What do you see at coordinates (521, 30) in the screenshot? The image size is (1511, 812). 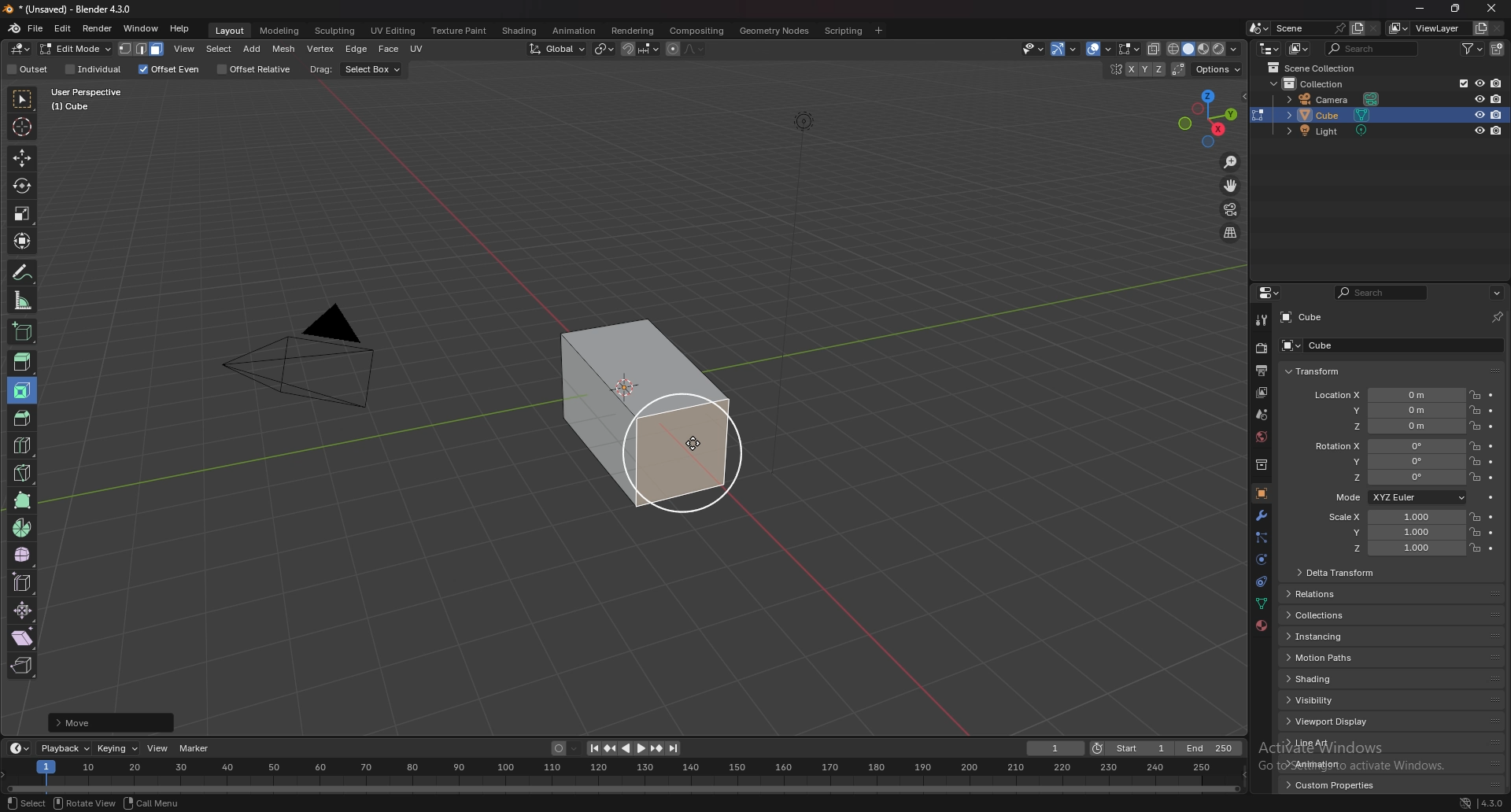 I see `shading` at bounding box center [521, 30].